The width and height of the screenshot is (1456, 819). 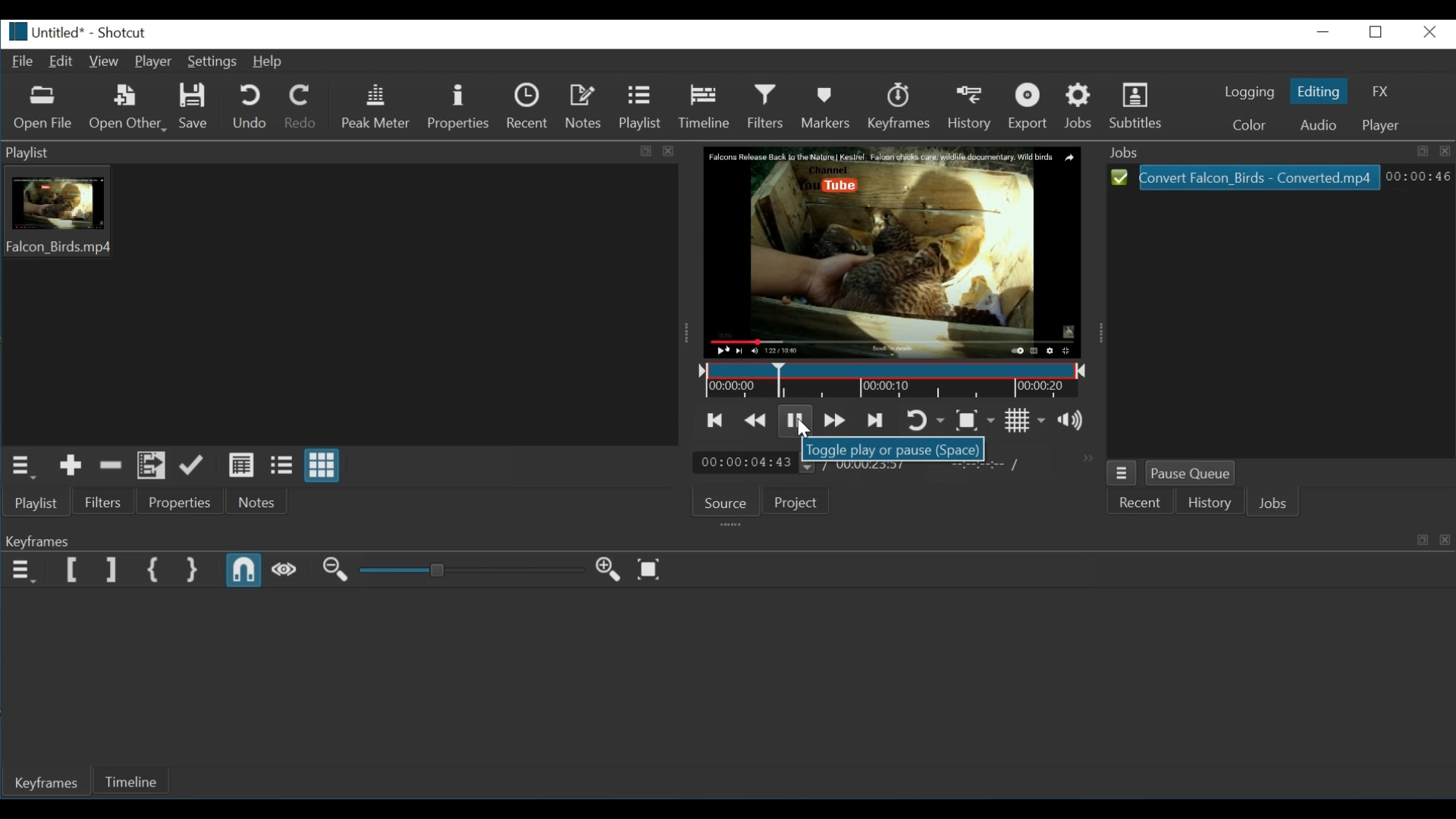 What do you see at coordinates (1028, 107) in the screenshot?
I see `Export` at bounding box center [1028, 107].